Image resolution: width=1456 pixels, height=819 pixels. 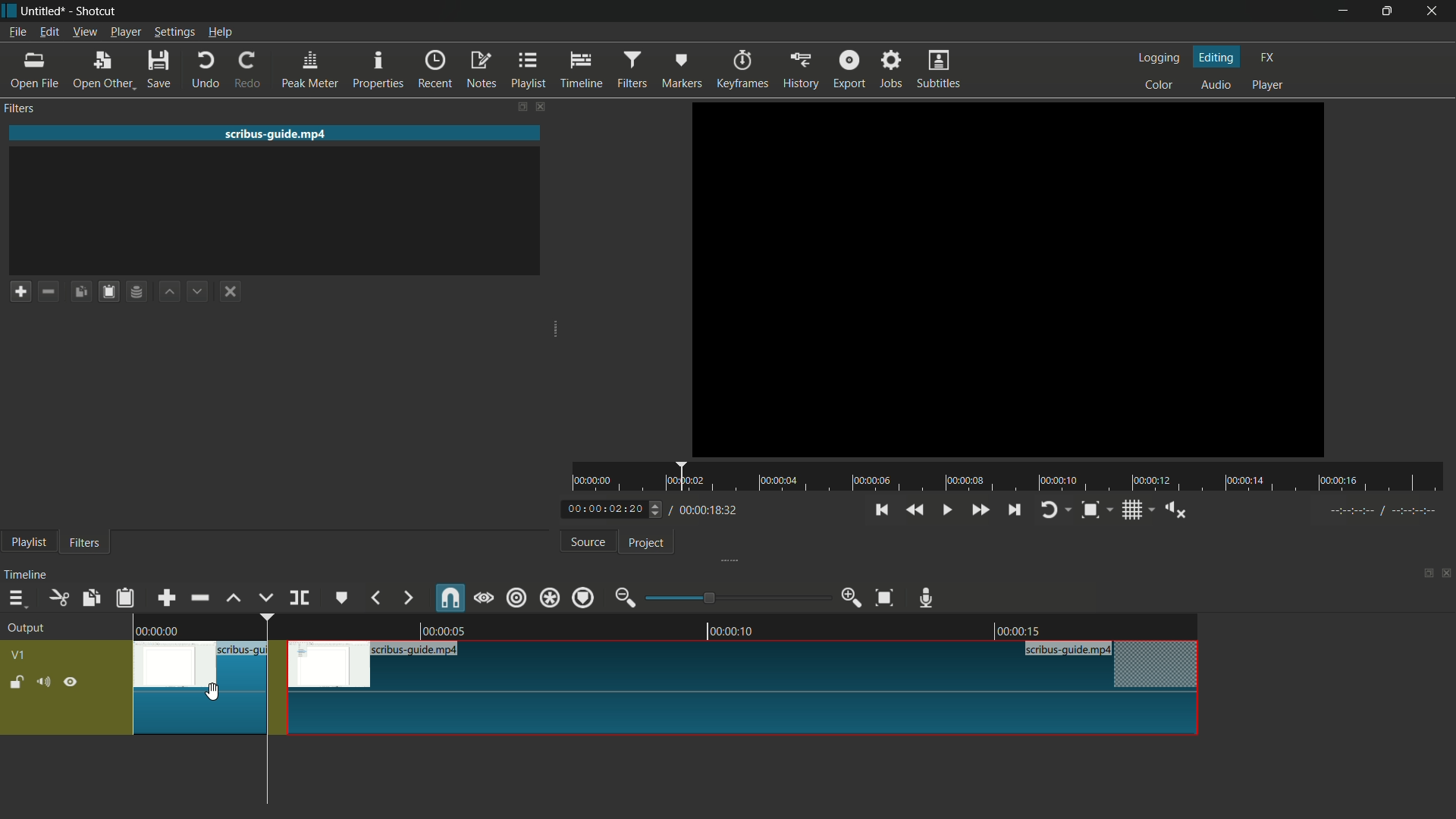 I want to click on subtitles, so click(x=938, y=68).